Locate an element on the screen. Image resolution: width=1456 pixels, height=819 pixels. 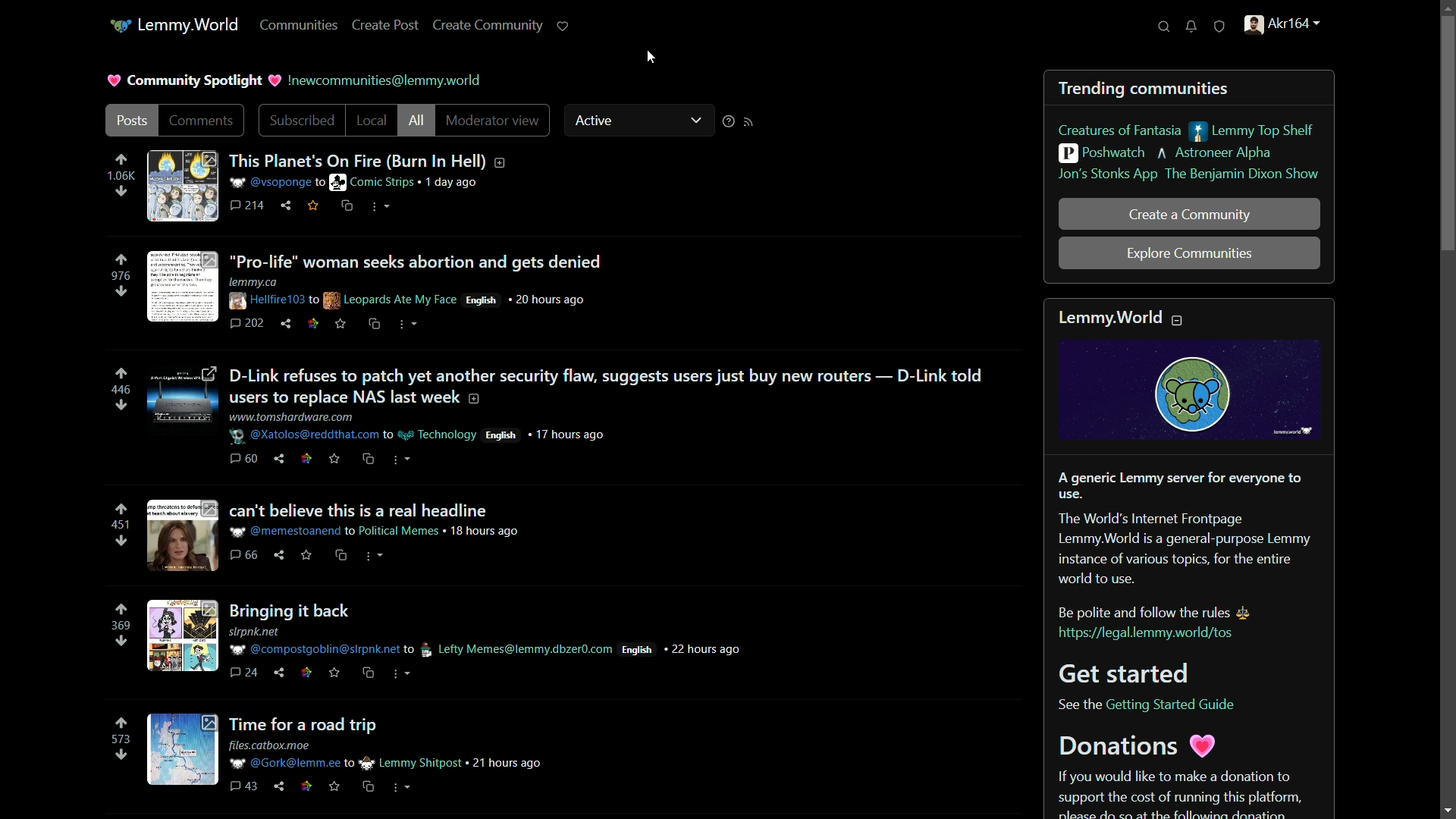
icon is located at coordinates (119, 27).